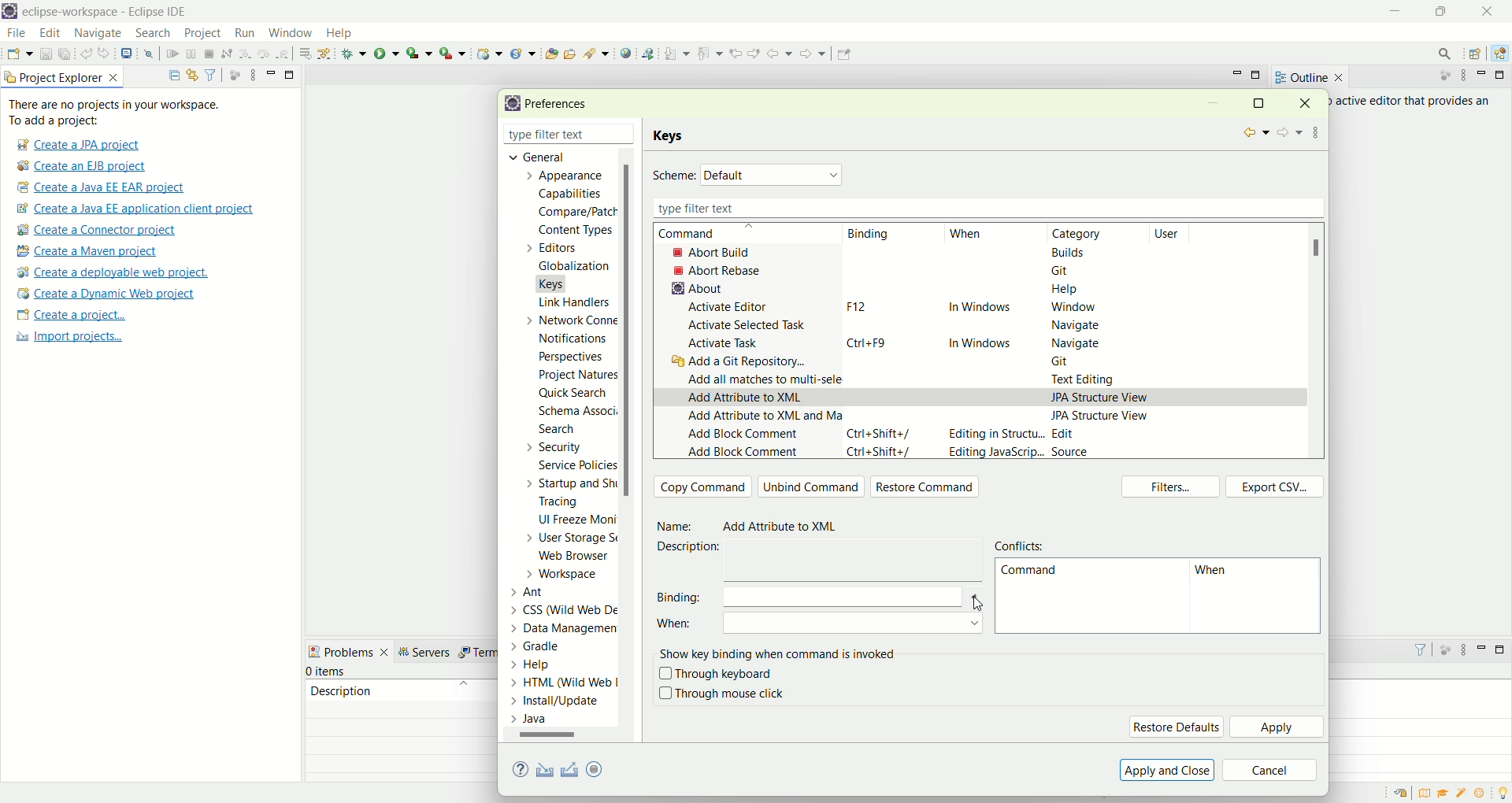 The image size is (1512, 803). What do you see at coordinates (1069, 363) in the screenshot?
I see `Git` at bounding box center [1069, 363].